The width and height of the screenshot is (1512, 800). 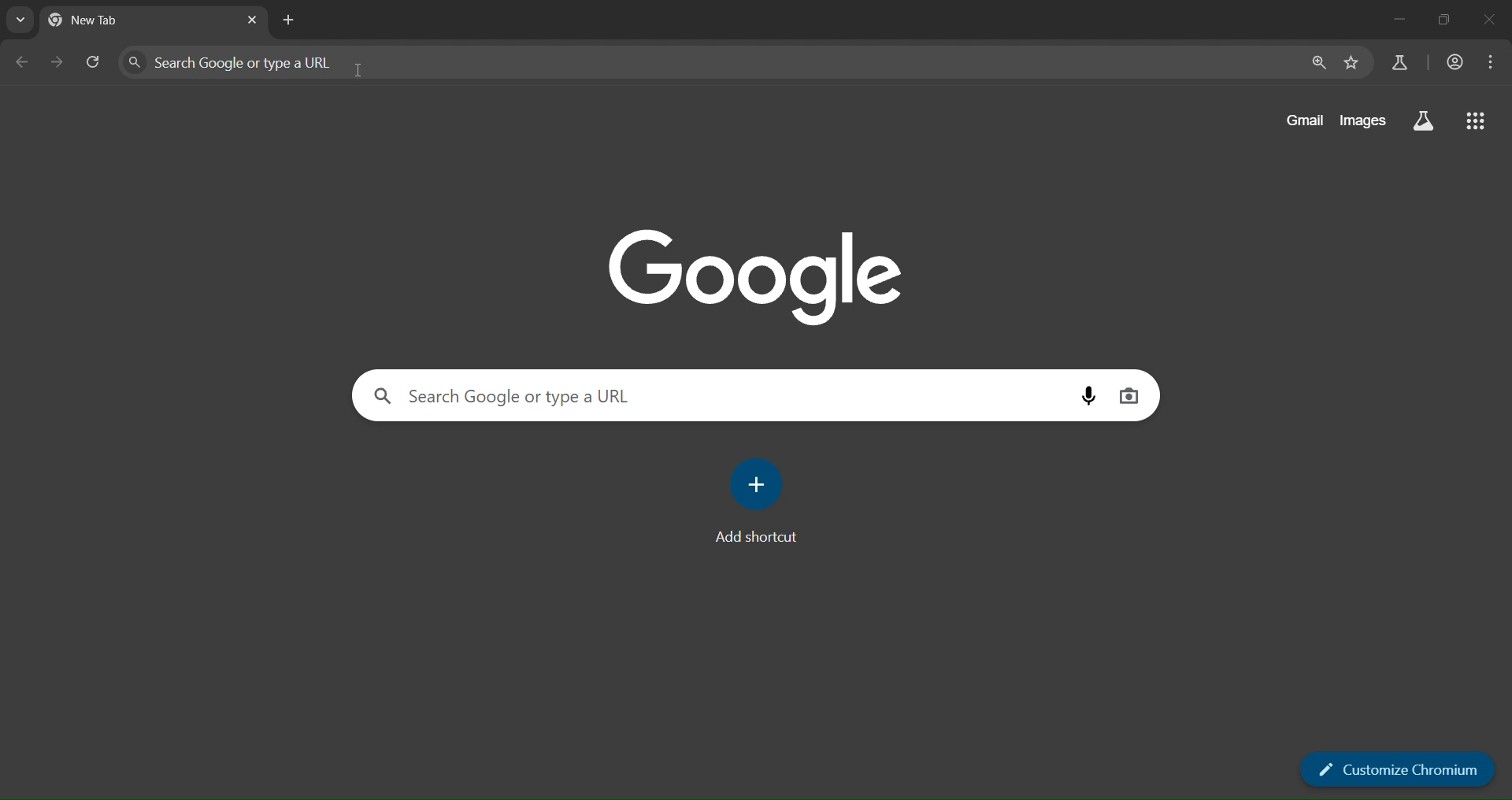 What do you see at coordinates (1443, 19) in the screenshot?
I see `Maximize` at bounding box center [1443, 19].